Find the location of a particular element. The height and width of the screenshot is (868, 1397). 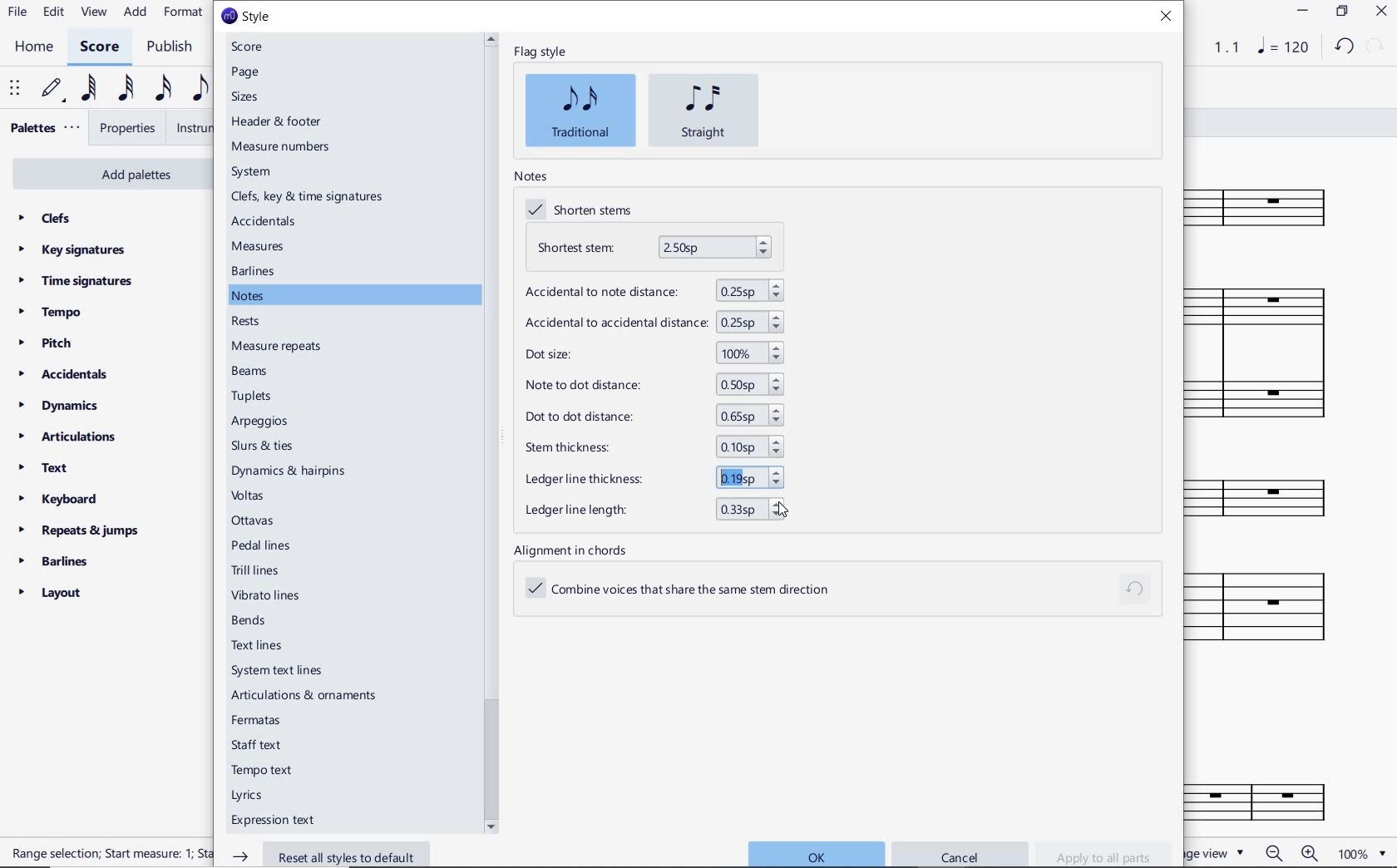

select to move is located at coordinates (13, 89).